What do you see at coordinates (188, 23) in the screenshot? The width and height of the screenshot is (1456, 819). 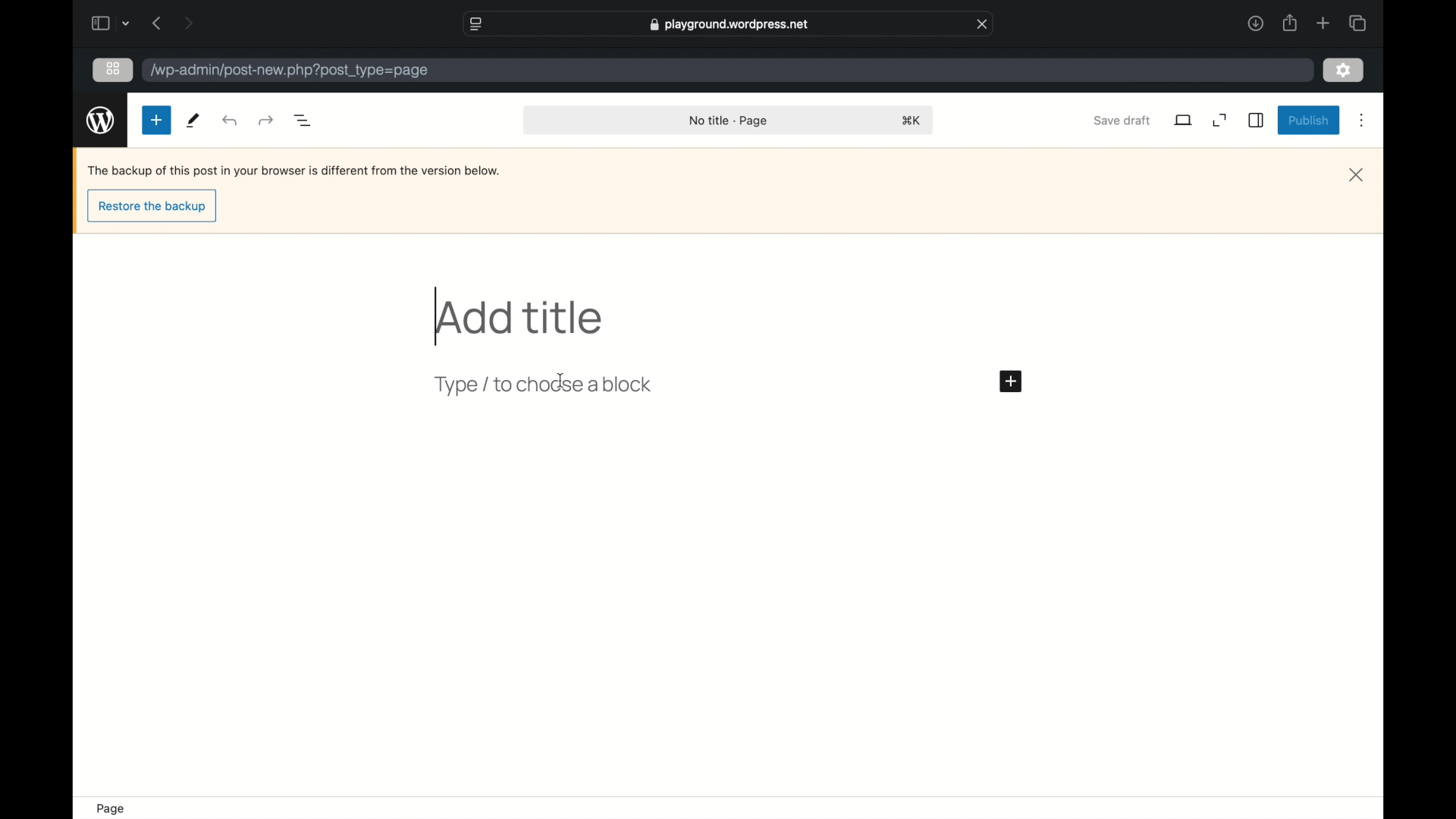 I see `next page` at bounding box center [188, 23].